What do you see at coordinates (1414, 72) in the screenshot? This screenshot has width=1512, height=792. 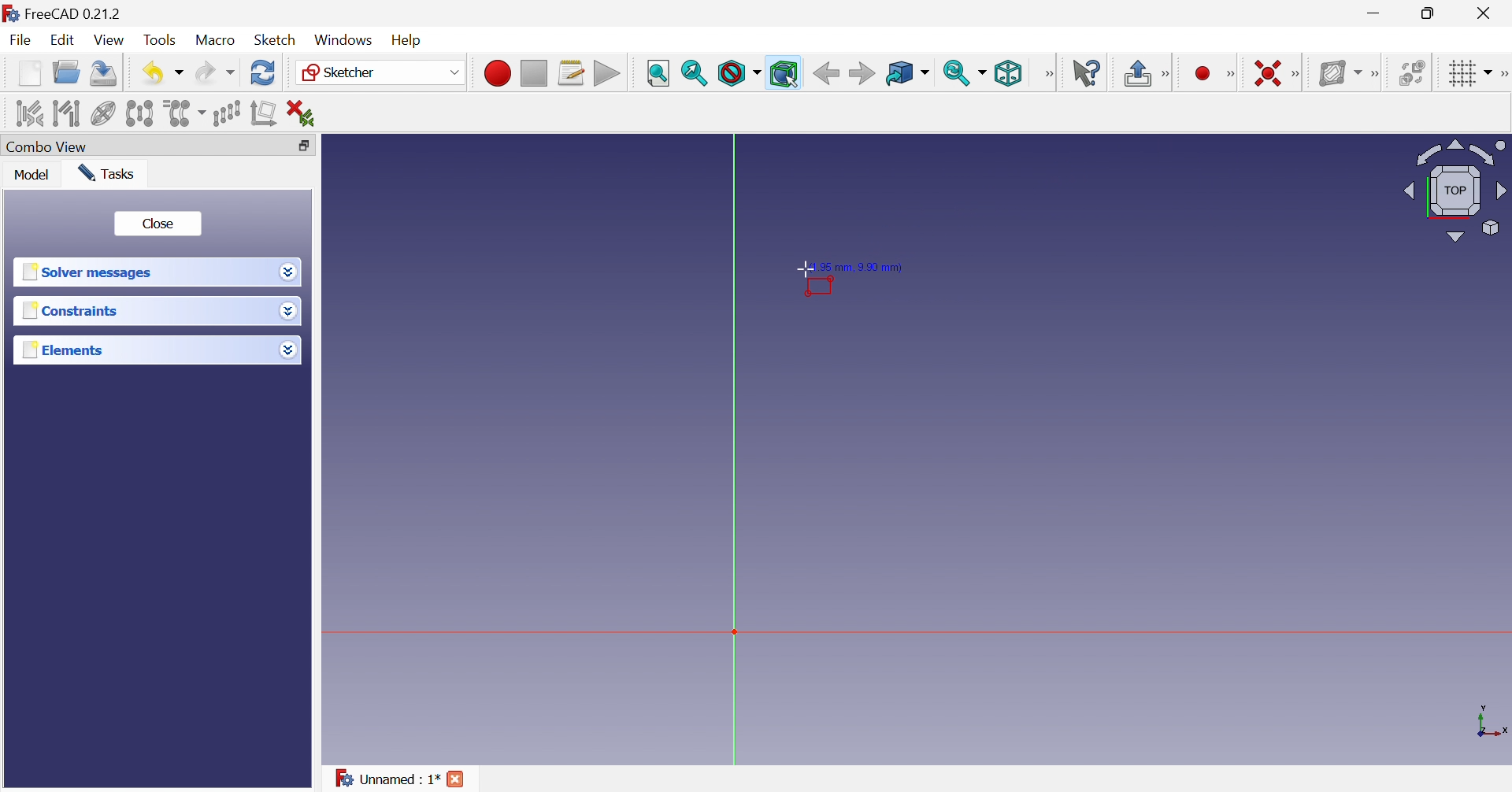 I see `Switch space` at bounding box center [1414, 72].